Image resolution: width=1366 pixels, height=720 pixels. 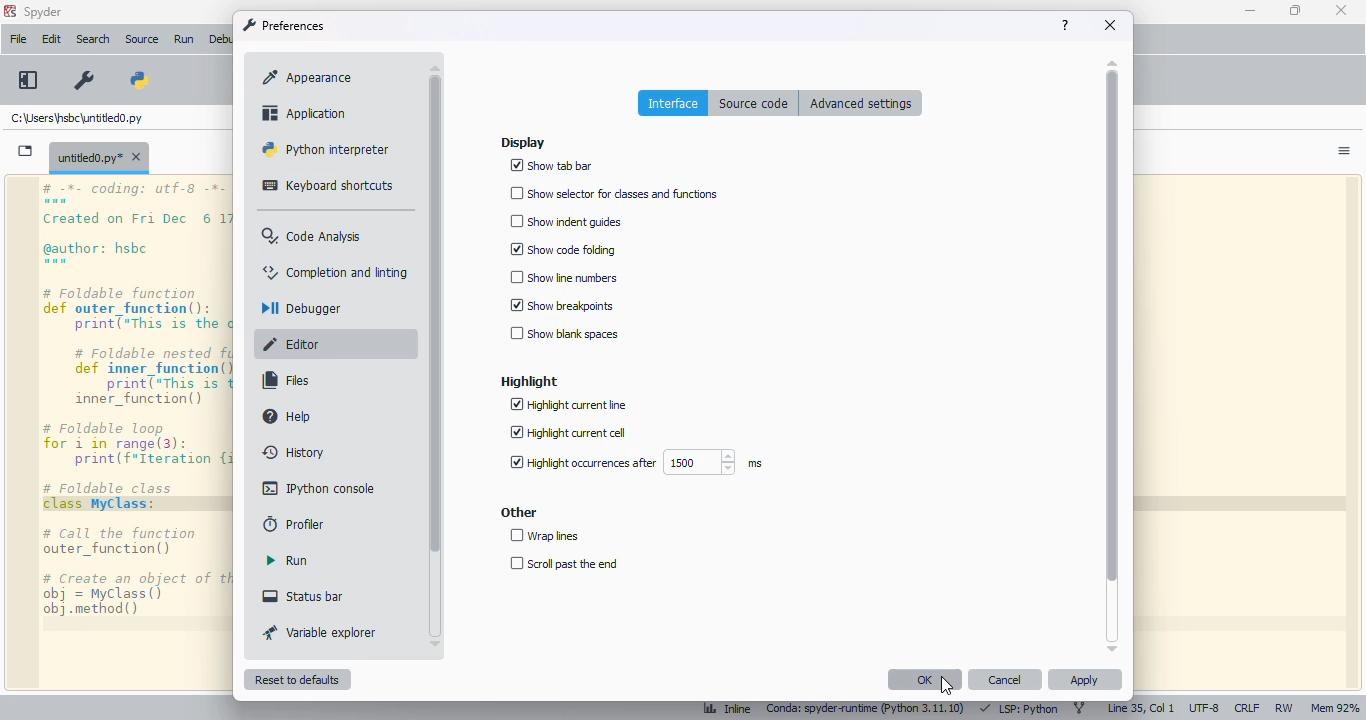 What do you see at coordinates (1246, 709) in the screenshot?
I see `CRLF` at bounding box center [1246, 709].